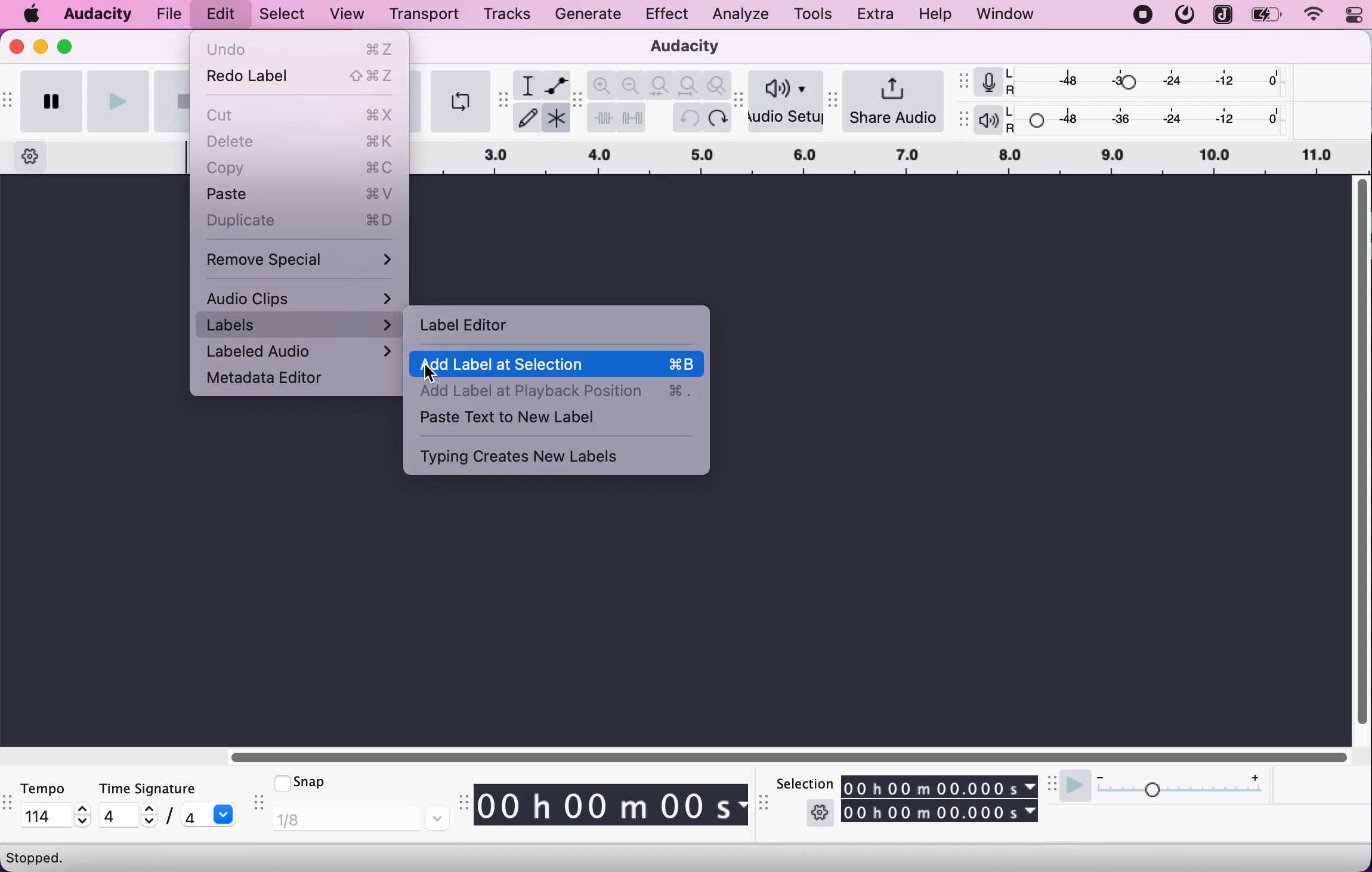 This screenshot has height=872, width=1372. I want to click on effect, so click(667, 16).